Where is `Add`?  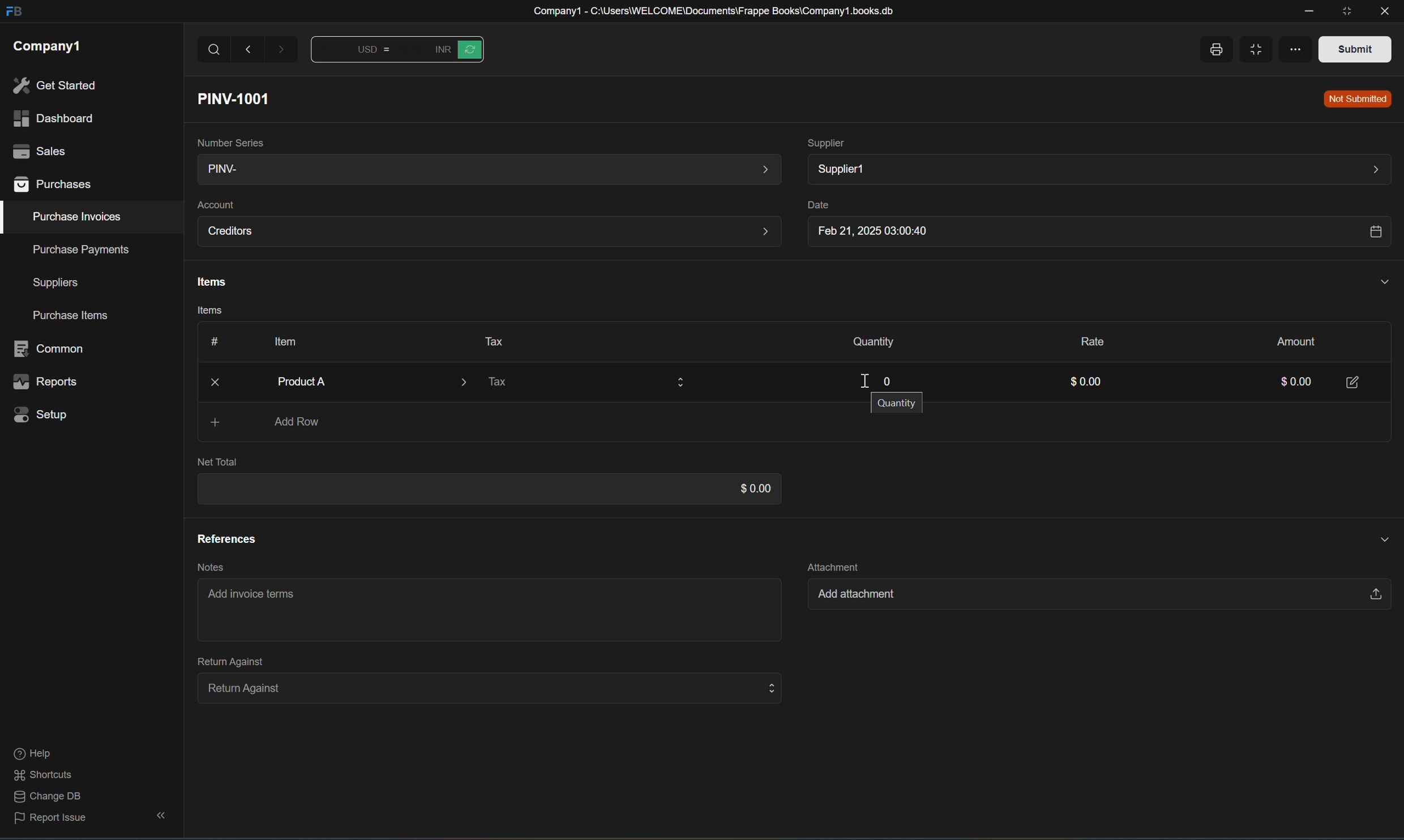
Add is located at coordinates (207, 422).